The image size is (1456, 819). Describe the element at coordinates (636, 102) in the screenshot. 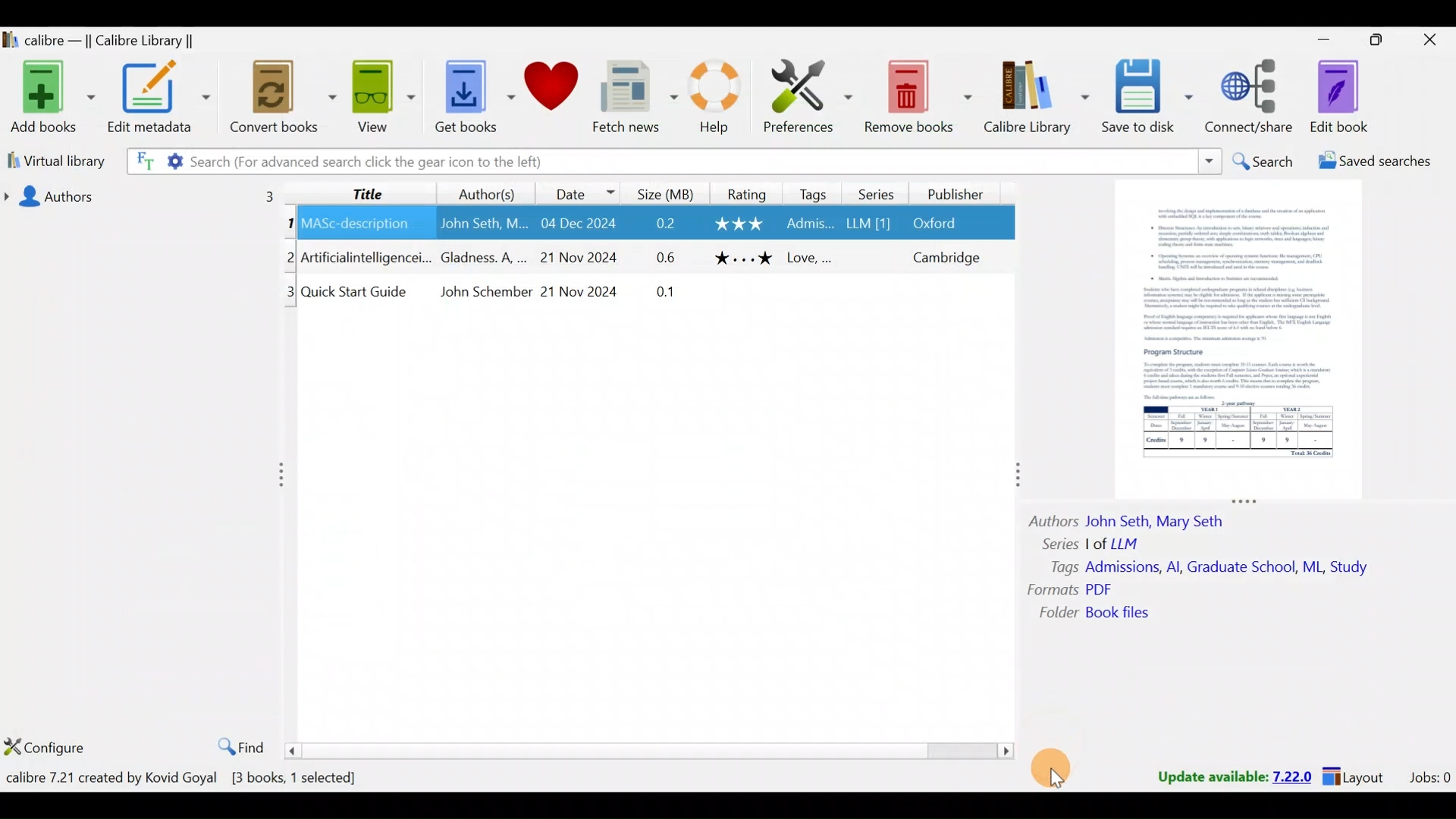

I see `Fetch news` at that location.